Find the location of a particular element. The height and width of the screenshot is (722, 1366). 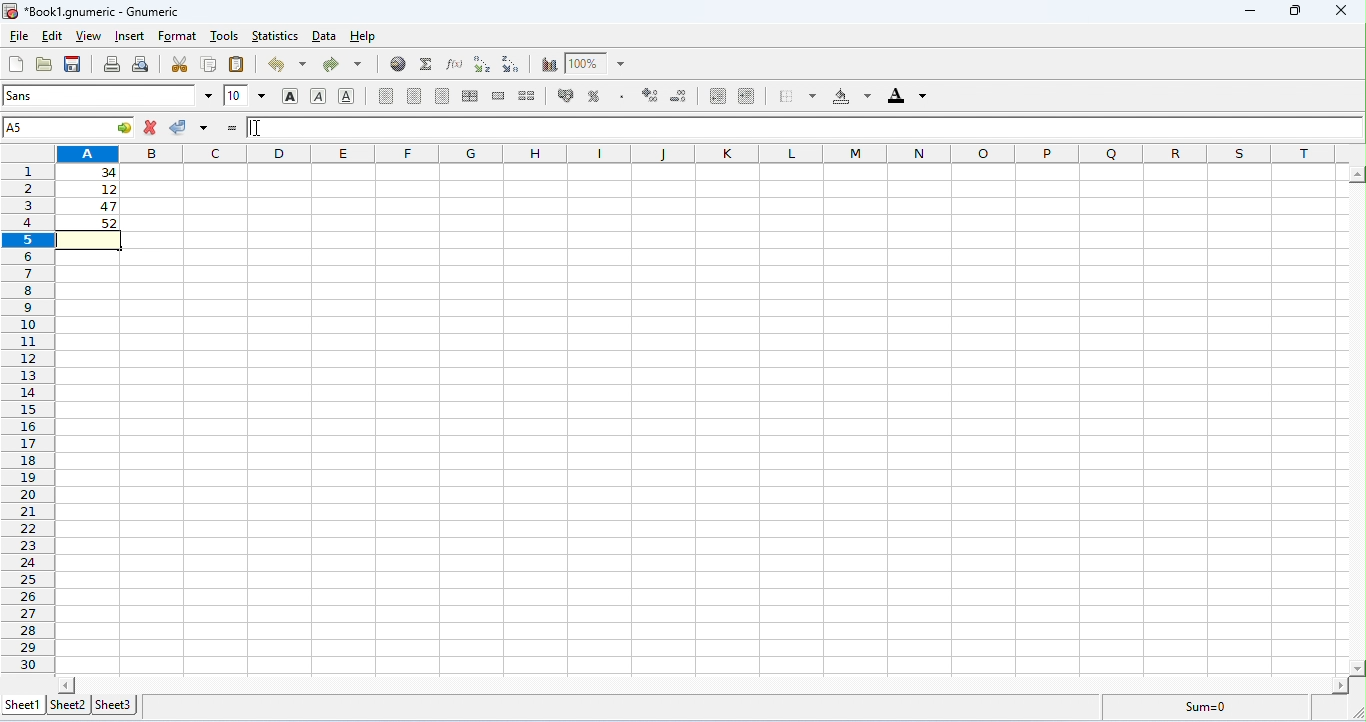

cut is located at coordinates (180, 64).